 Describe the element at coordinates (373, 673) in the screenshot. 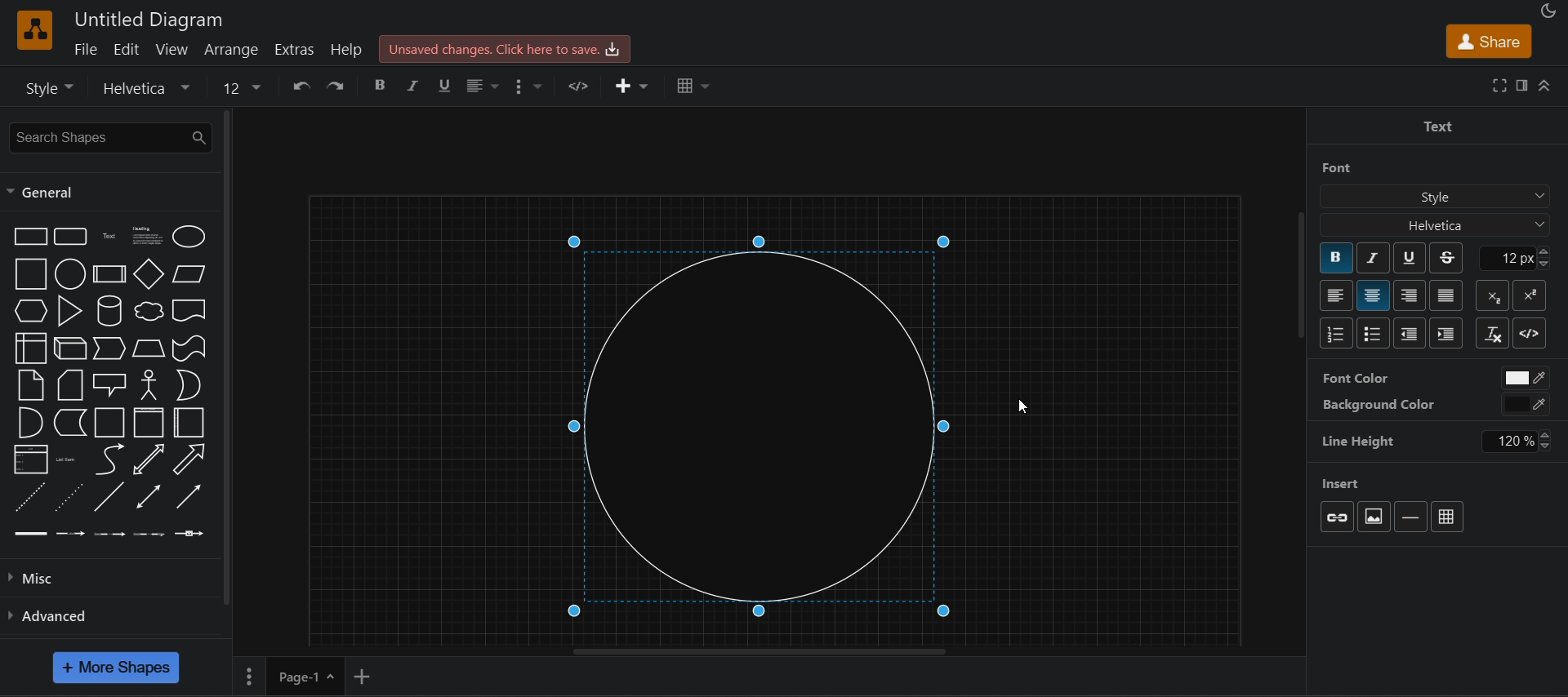

I see `add new page` at that location.